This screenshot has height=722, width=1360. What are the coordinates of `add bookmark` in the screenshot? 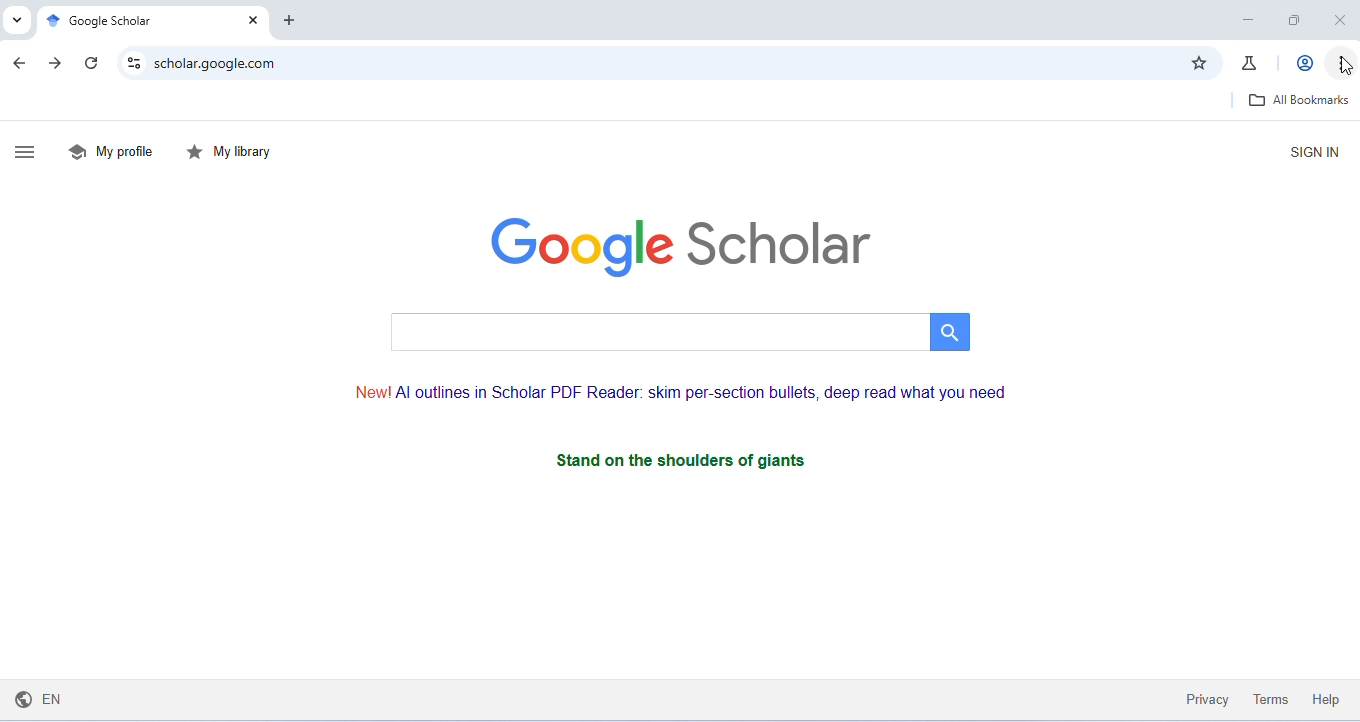 It's located at (1198, 62).